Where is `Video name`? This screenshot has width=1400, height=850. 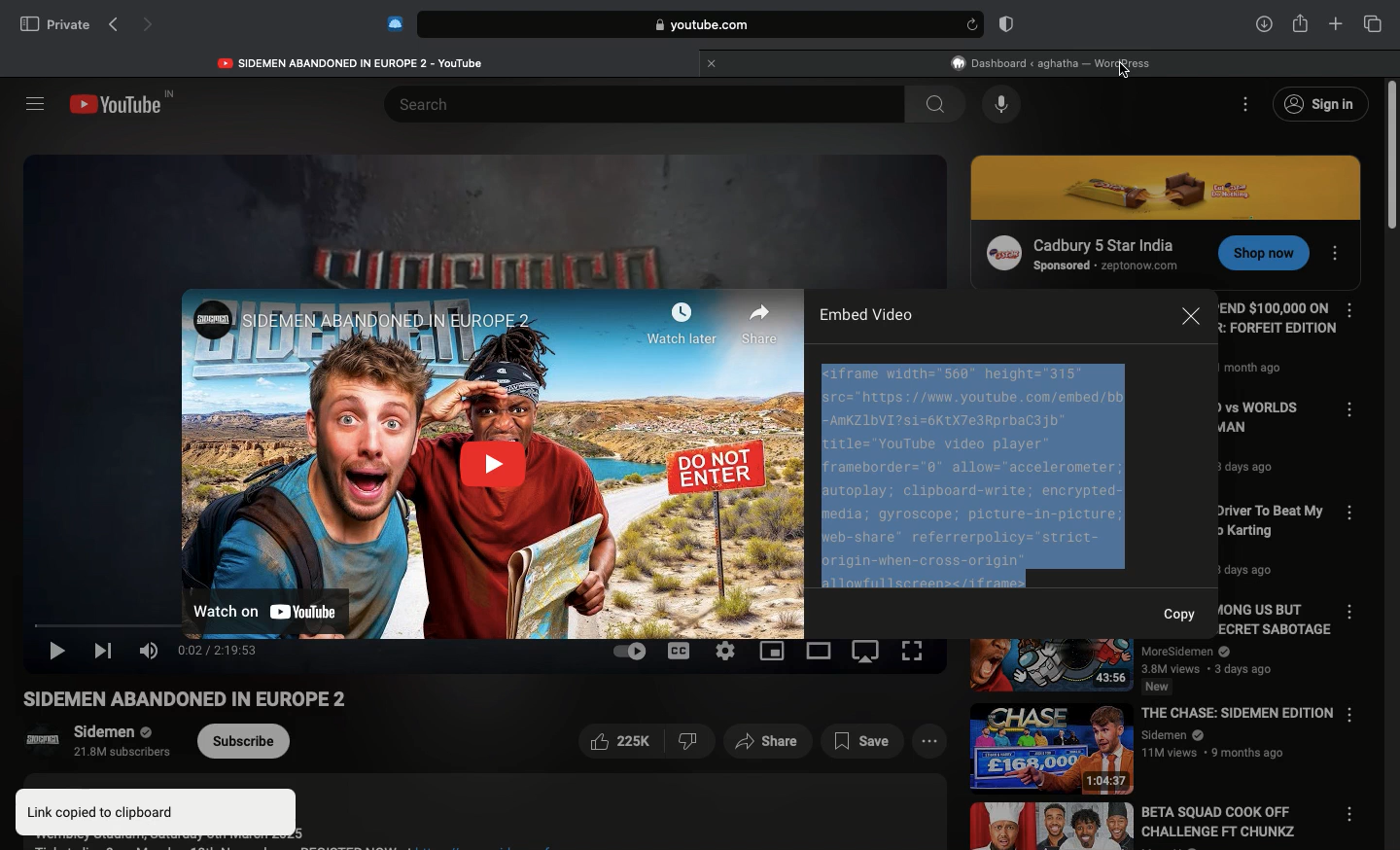 Video name is located at coordinates (1268, 445).